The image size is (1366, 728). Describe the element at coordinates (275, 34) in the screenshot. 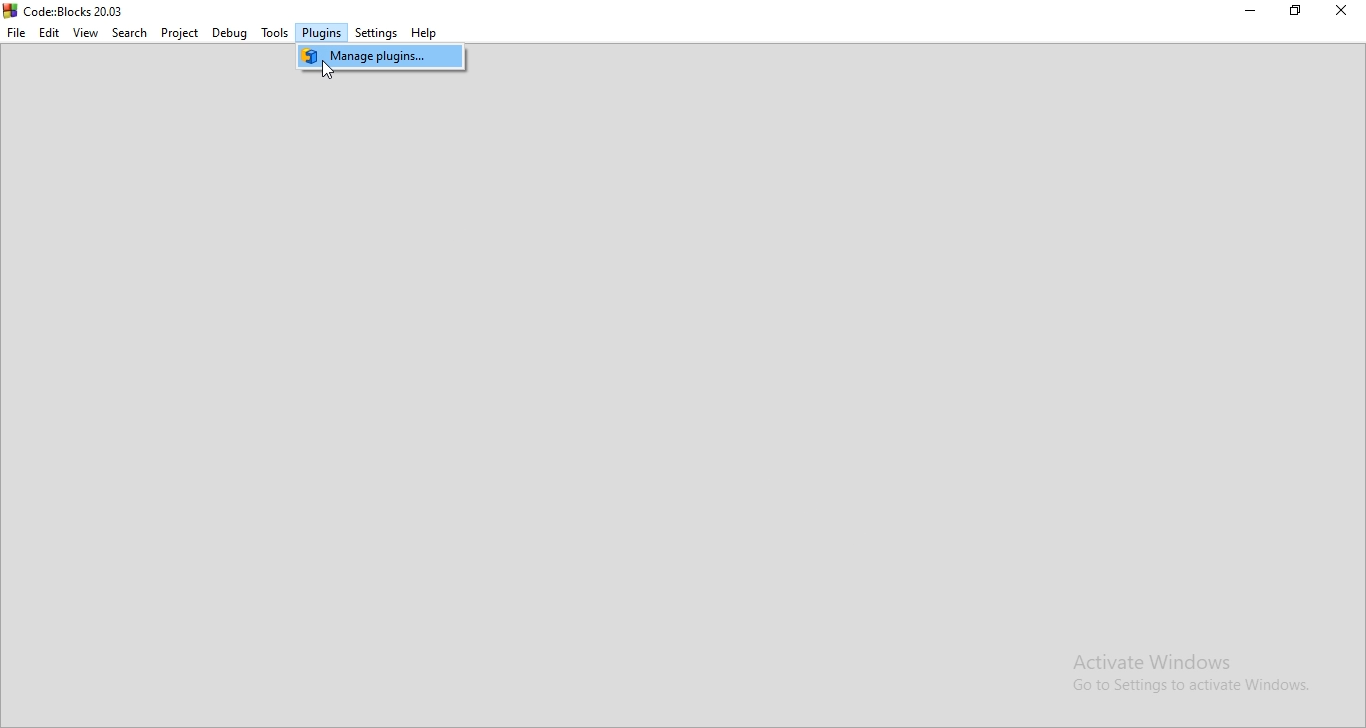

I see `Tools` at that location.